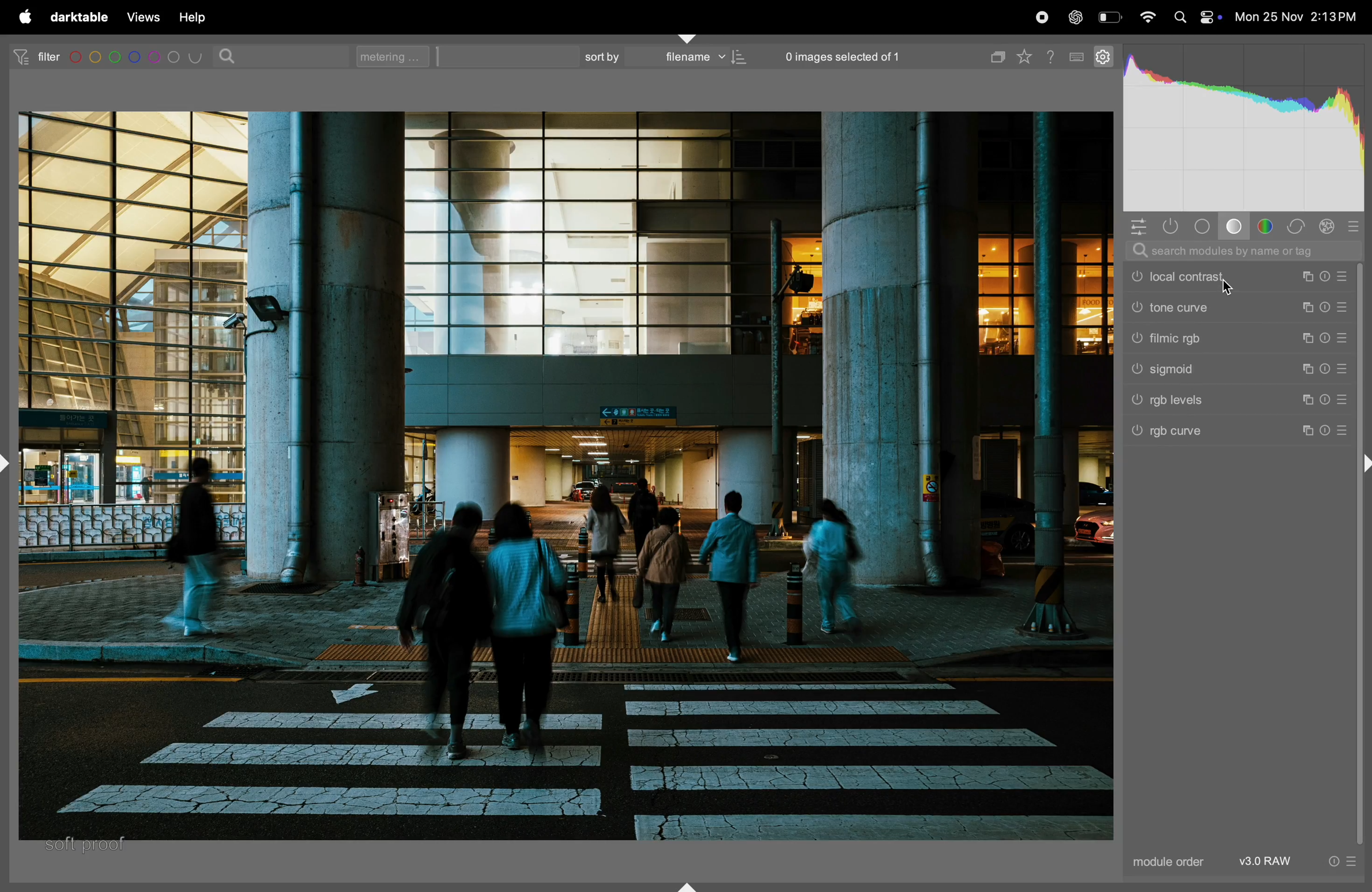  I want to click on reset, so click(1333, 860).